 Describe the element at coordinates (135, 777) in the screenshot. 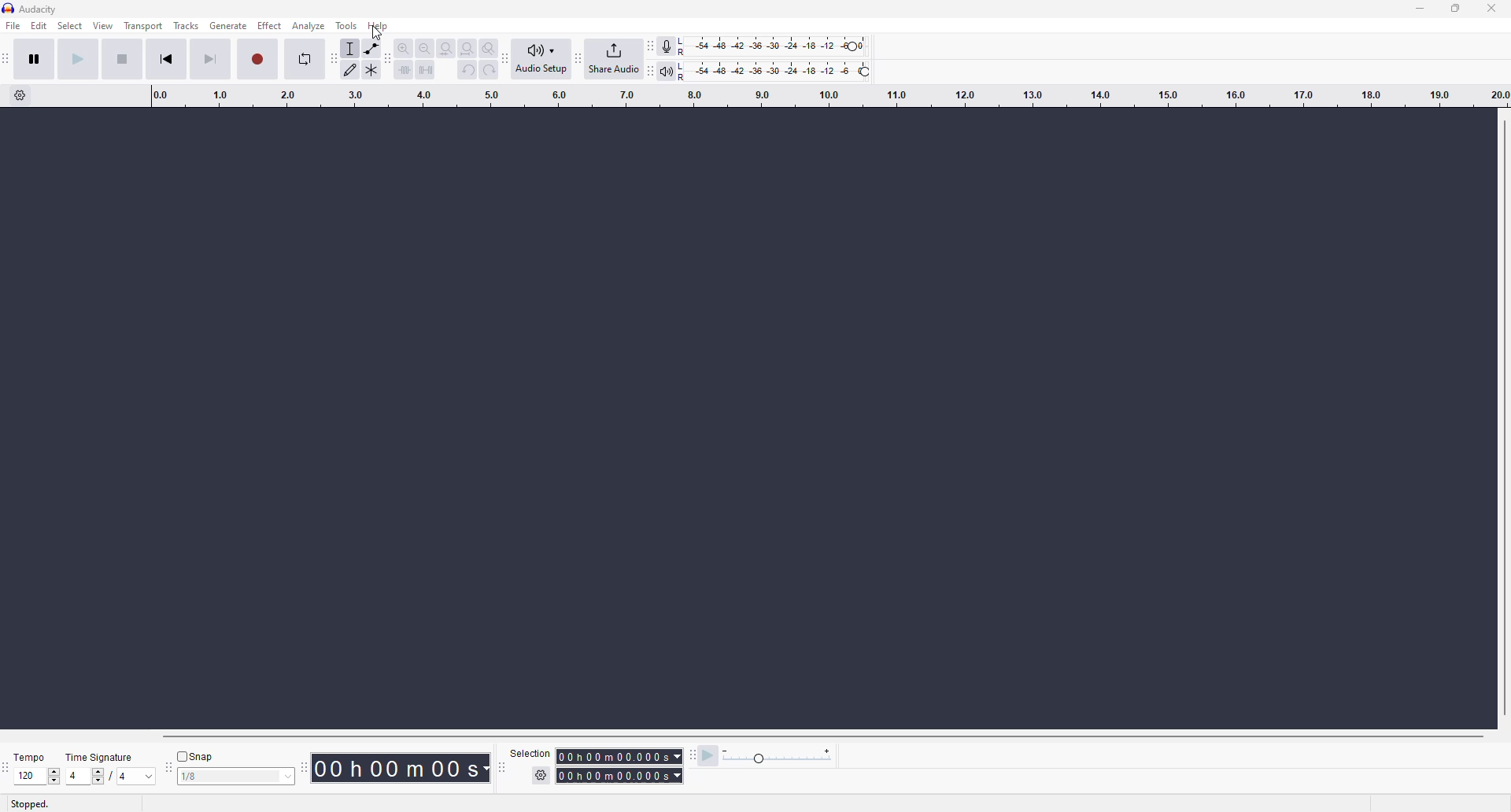

I see `value` at that location.